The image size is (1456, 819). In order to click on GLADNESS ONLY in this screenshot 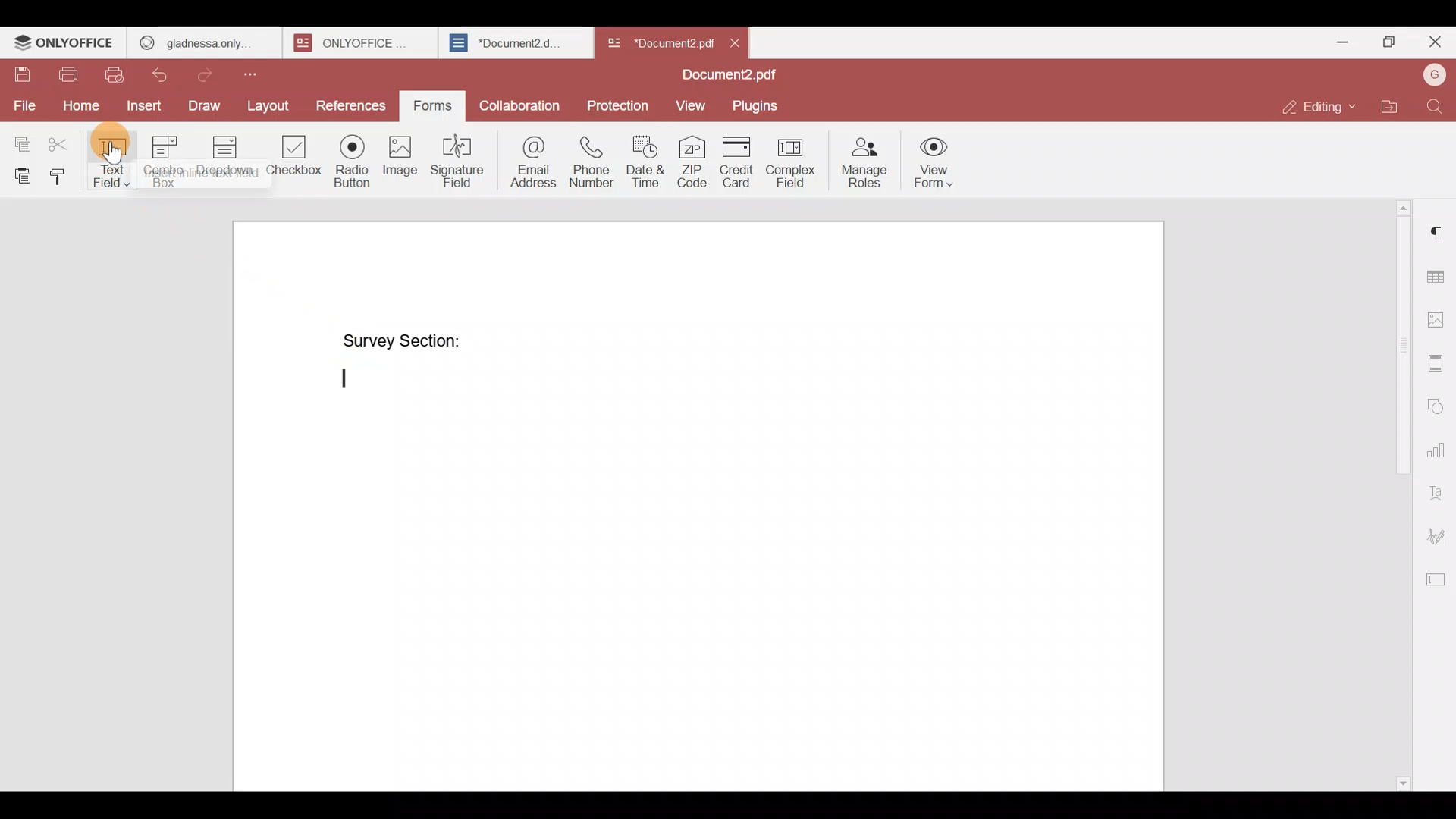, I will do `click(199, 39)`.